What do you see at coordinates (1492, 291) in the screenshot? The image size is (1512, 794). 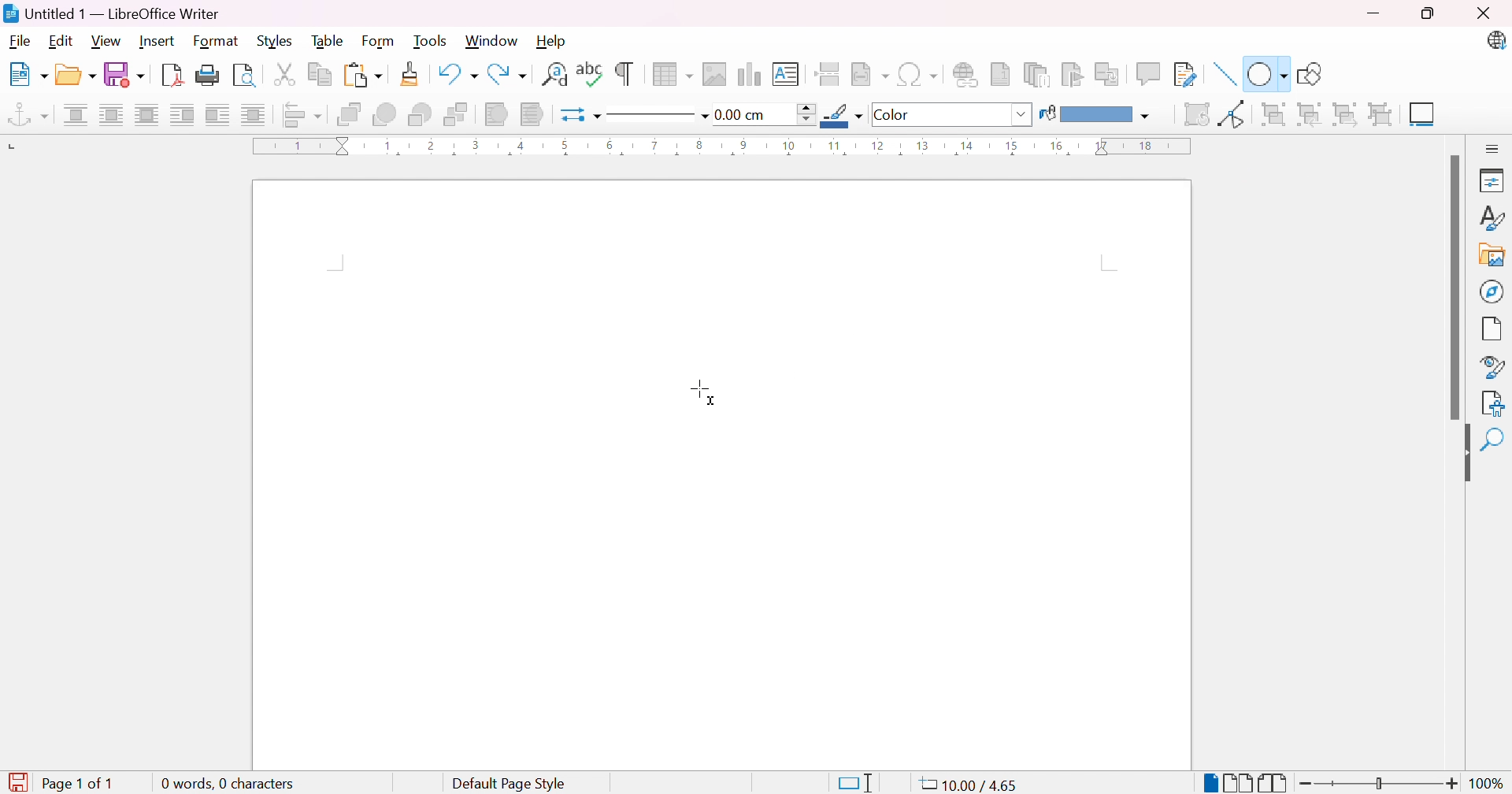 I see `Navigator` at bounding box center [1492, 291].